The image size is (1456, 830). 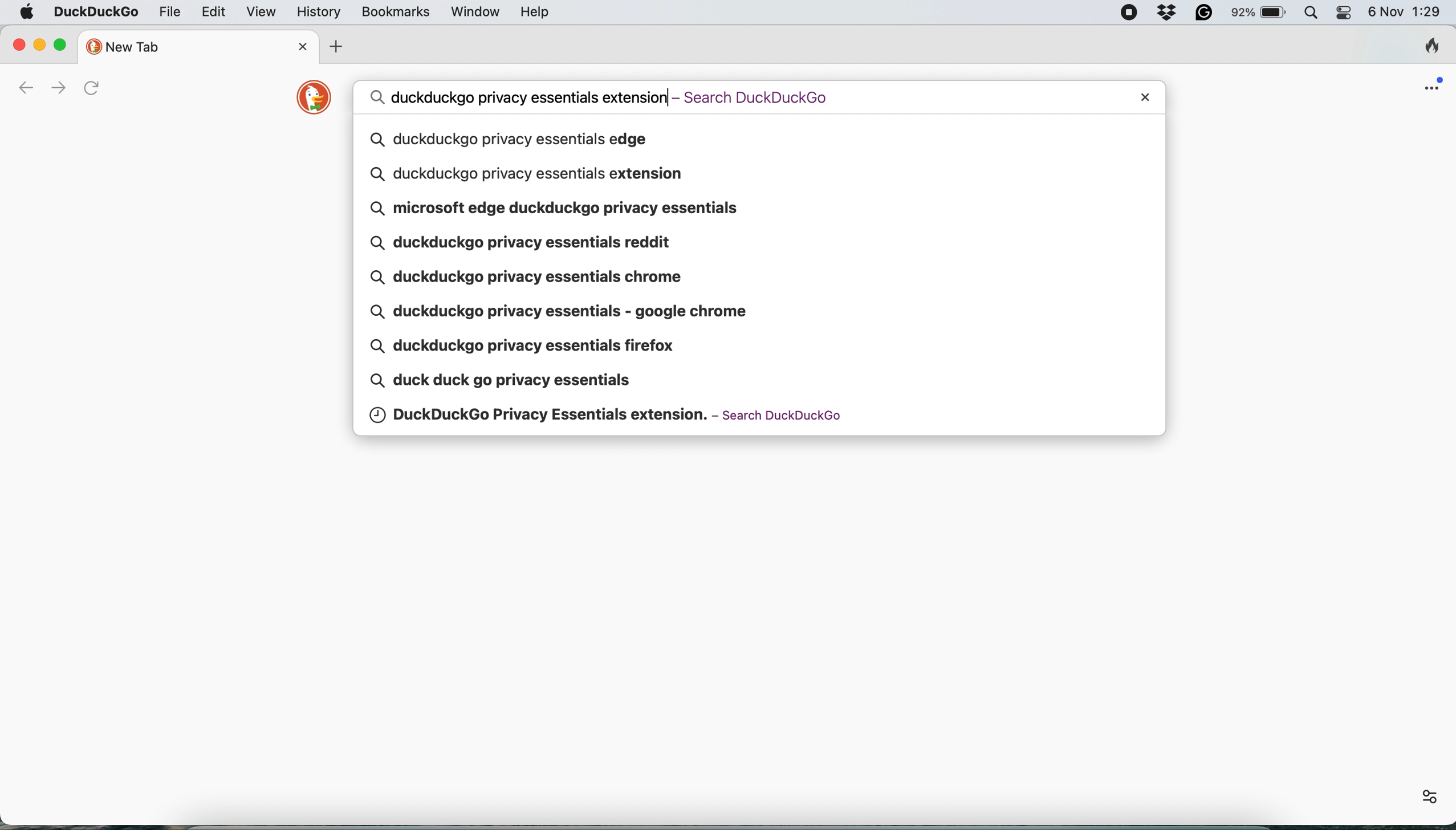 I want to click on battery, so click(x=1260, y=14).